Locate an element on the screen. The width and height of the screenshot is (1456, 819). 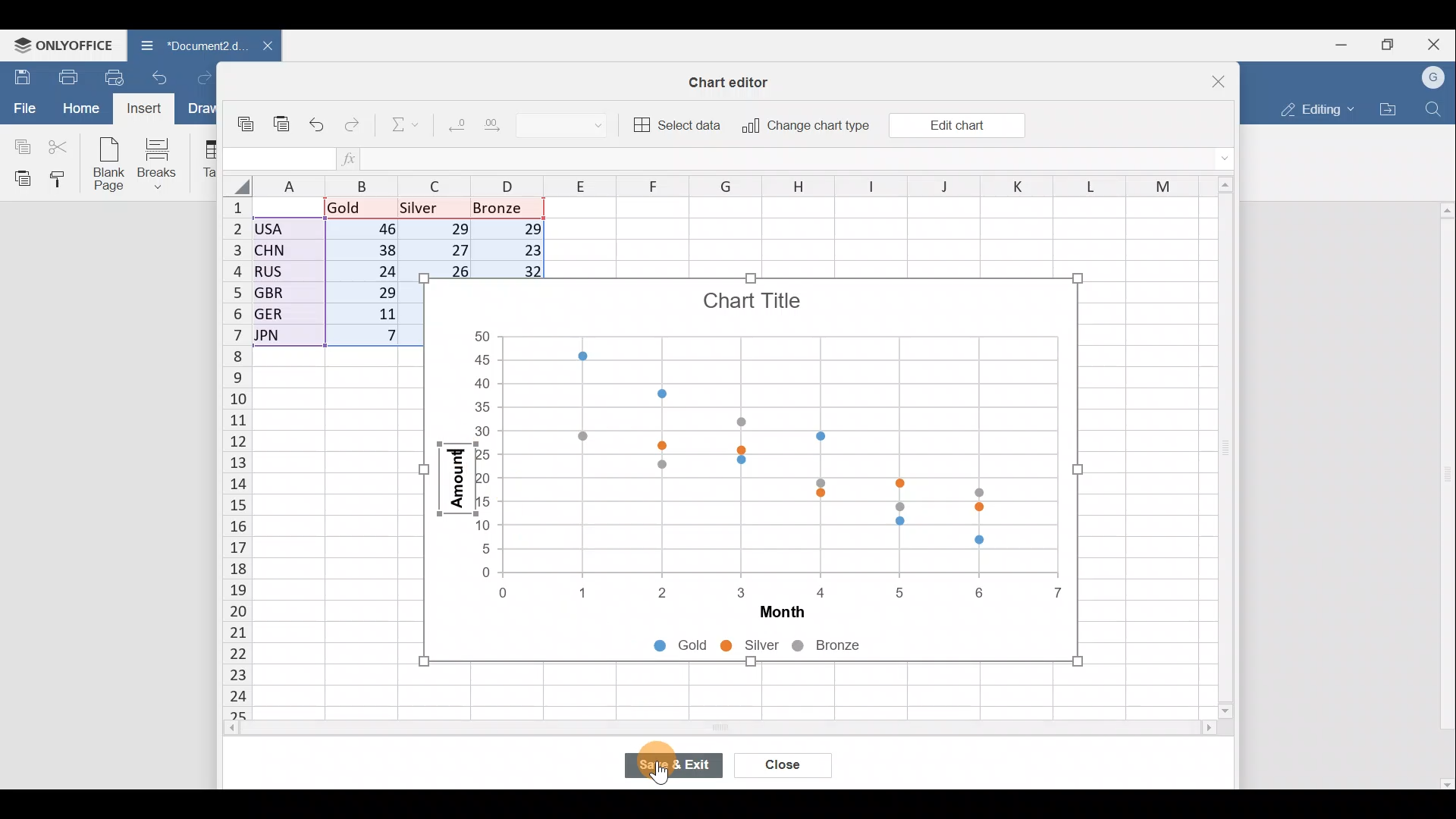
Redo is located at coordinates (206, 77).